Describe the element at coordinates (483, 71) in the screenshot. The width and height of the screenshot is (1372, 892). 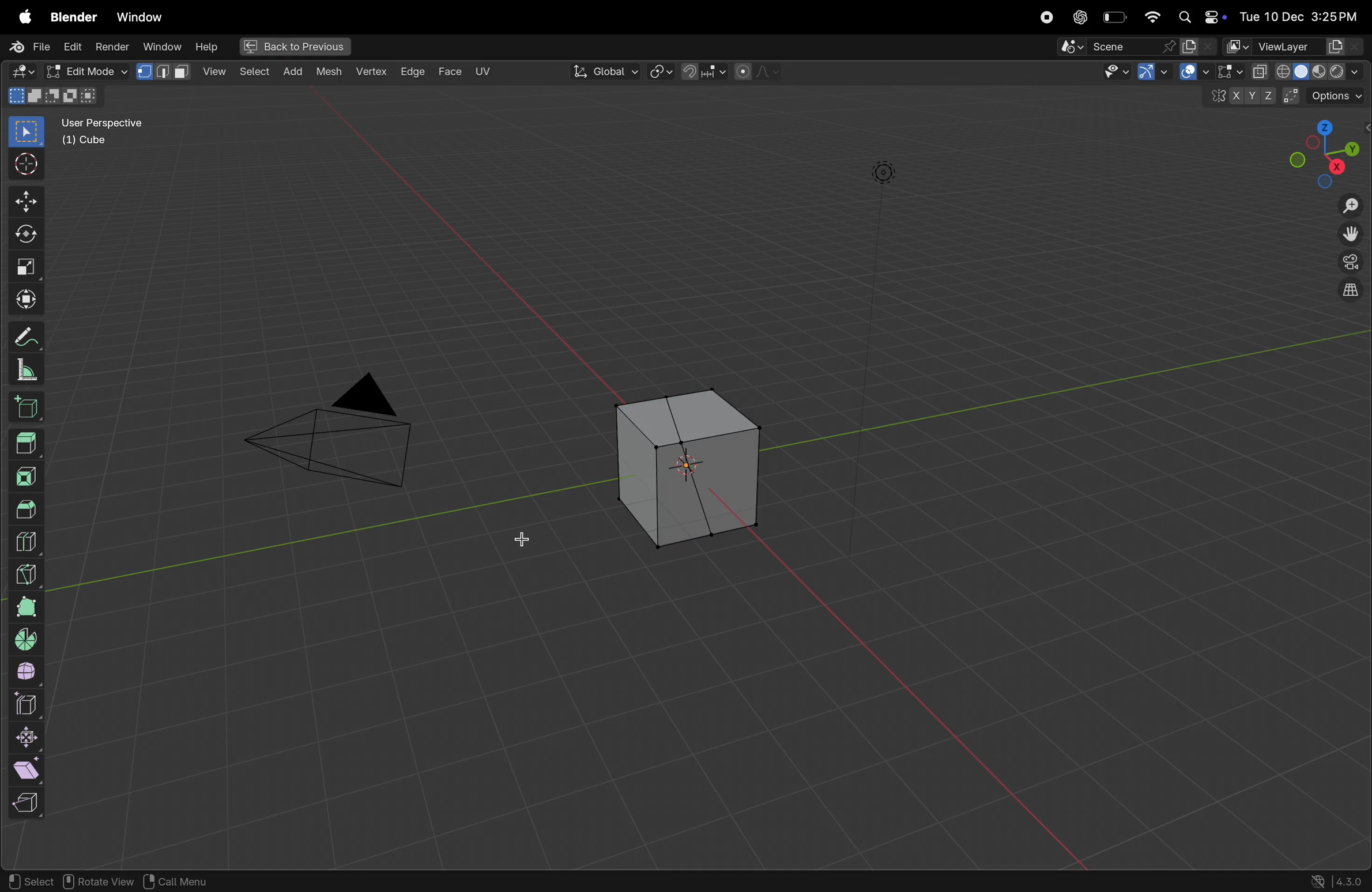
I see `uv` at that location.